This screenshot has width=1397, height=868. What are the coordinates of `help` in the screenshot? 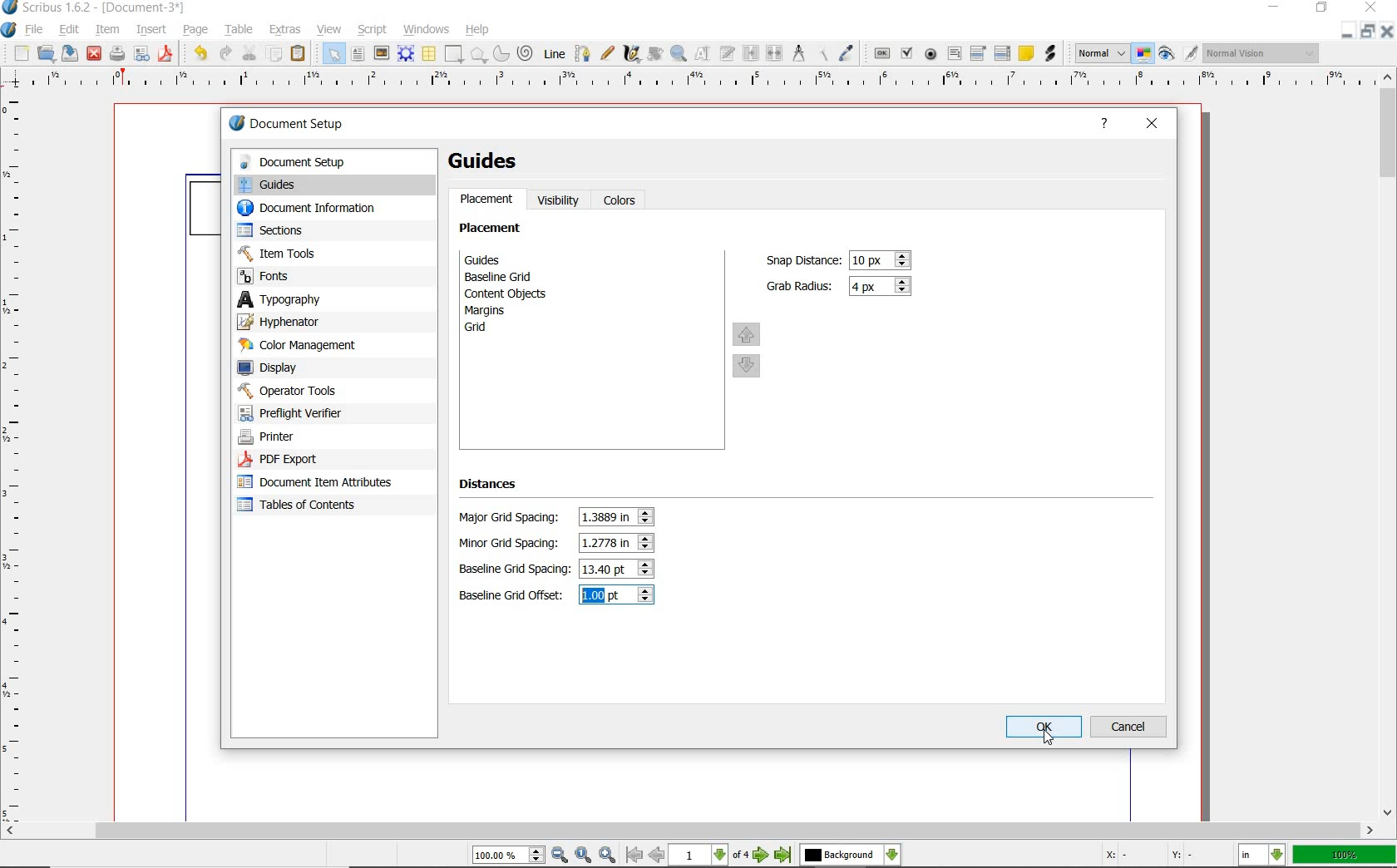 It's located at (1105, 126).